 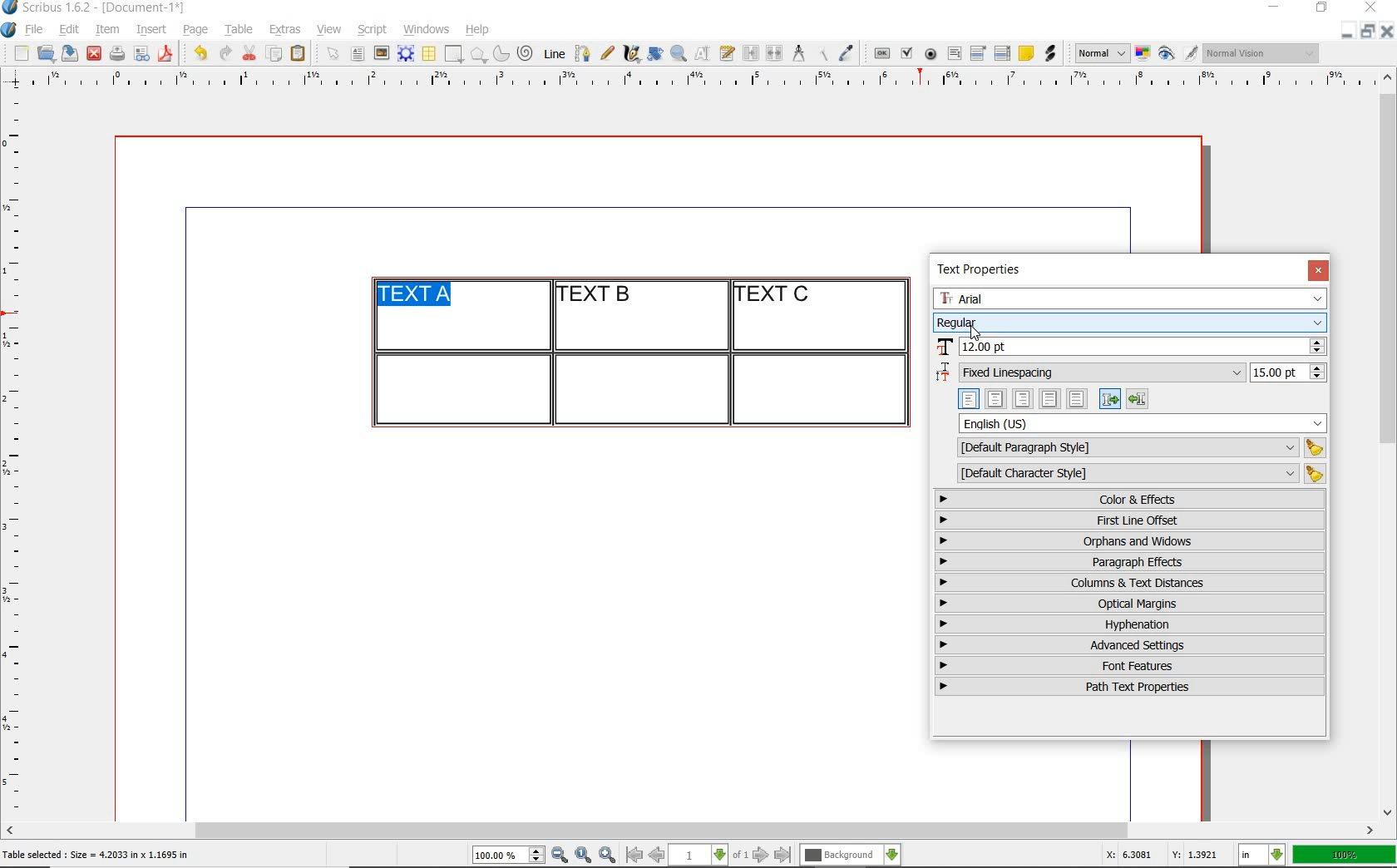 I want to click on Table selected : Size = 4.2033 in x 1.1695 in, so click(x=96, y=854).